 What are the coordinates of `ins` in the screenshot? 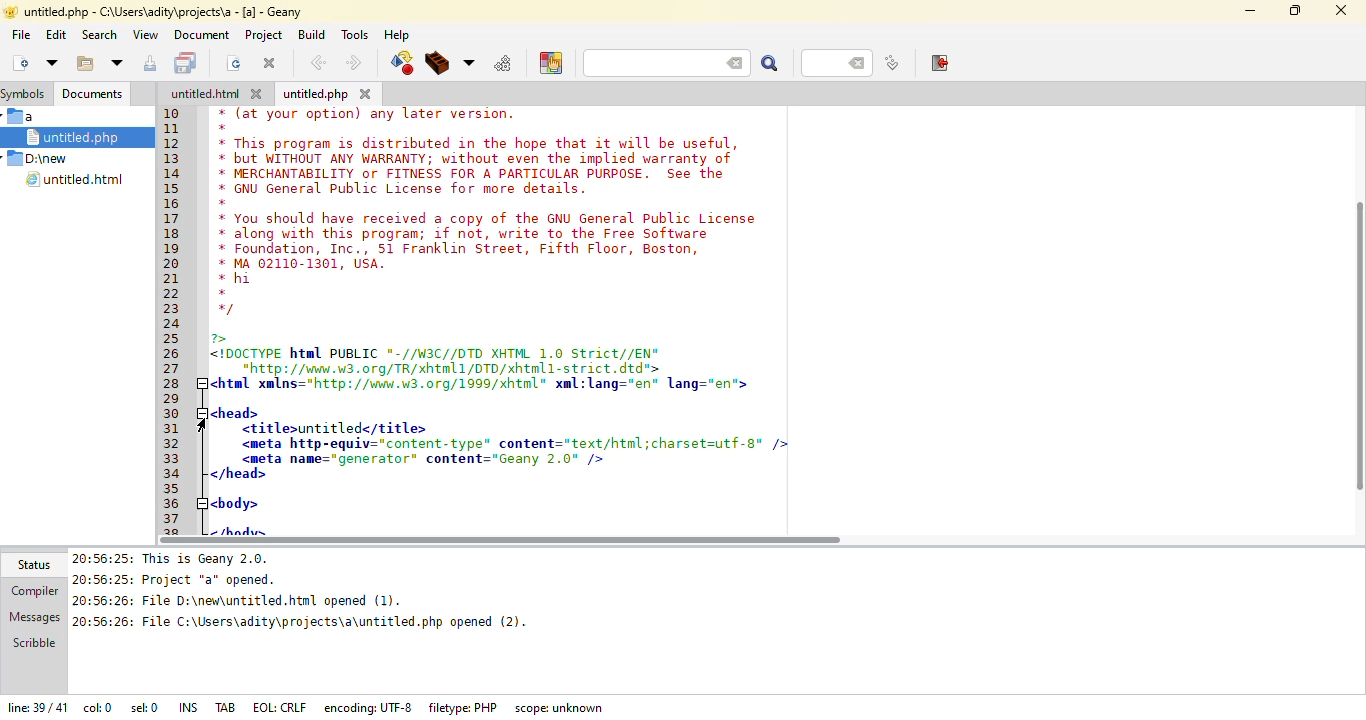 It's located at (186, 709).